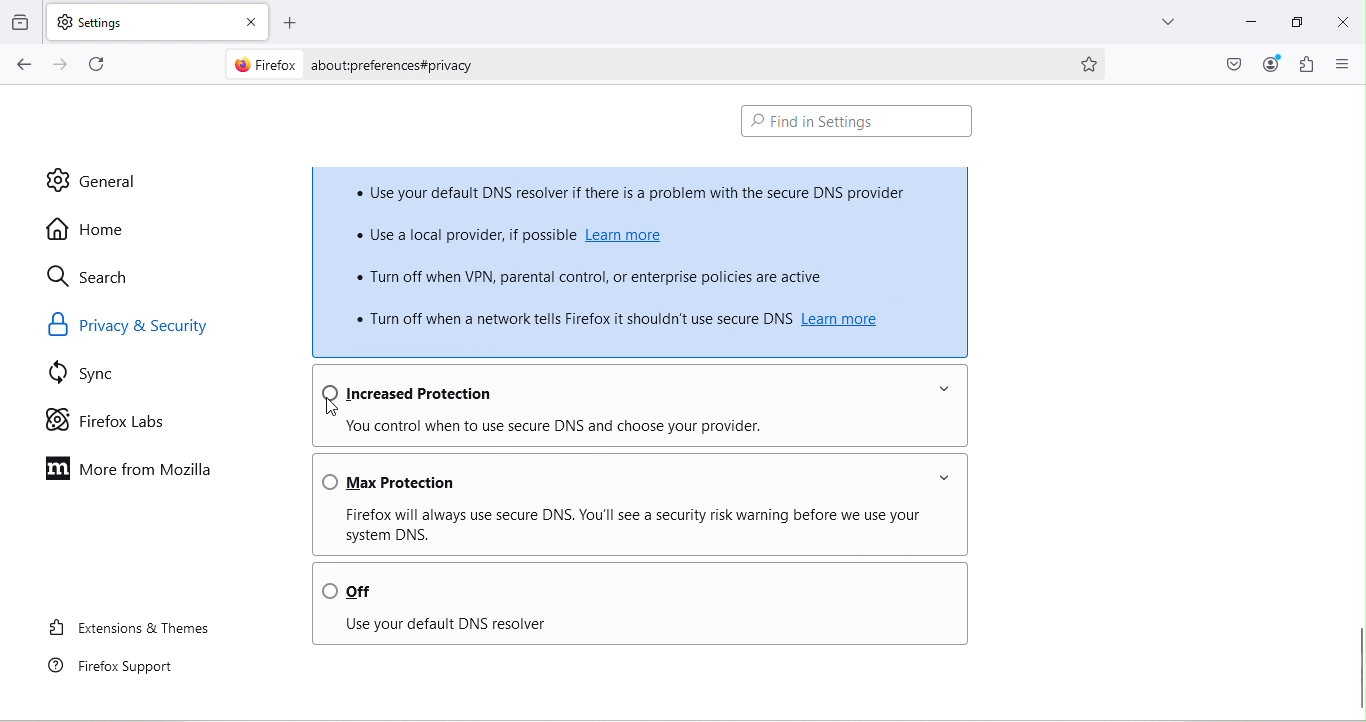 The height and width of the screenshot is (722, 1366). What do you see at coordinates (1245, 25) in the screenshot?
I see `Input ` at bounding box center [1245, 25].